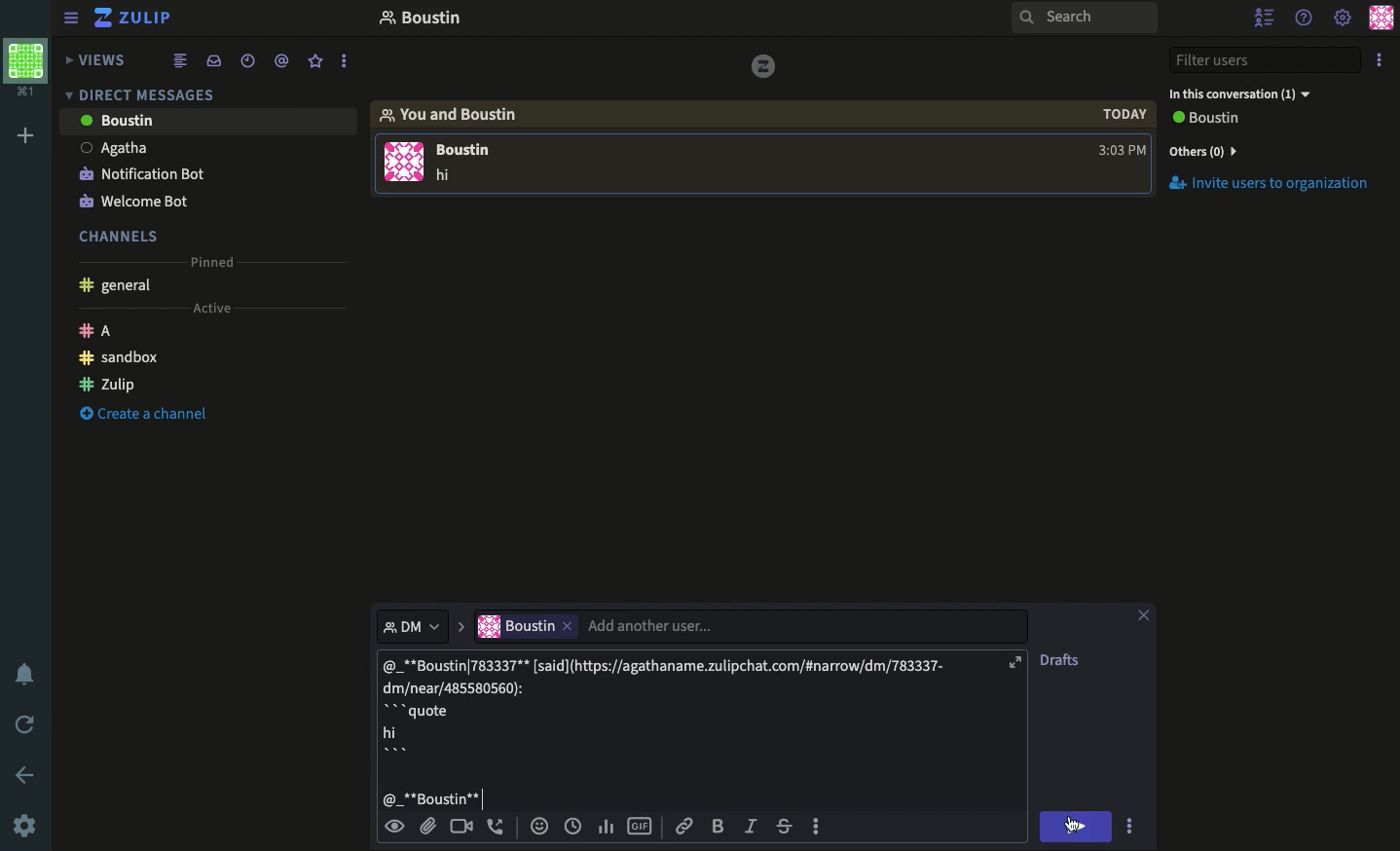 This screenshot has height=851, width=1400. Describe the element at coordinates (461, 827) in the screenshot. I see `Video` at that location.